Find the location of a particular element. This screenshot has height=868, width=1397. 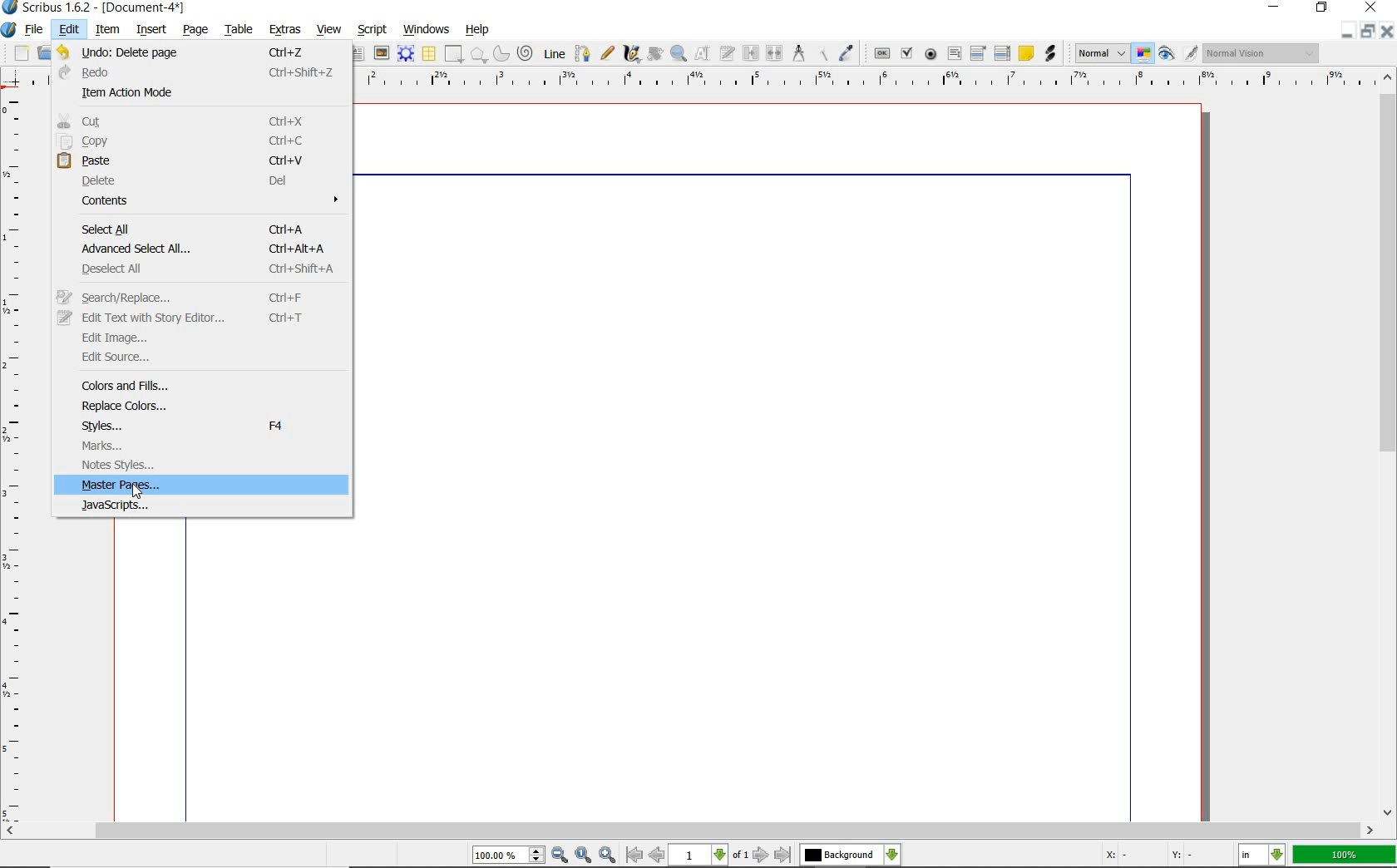

table is located at coordinates (428, 54).